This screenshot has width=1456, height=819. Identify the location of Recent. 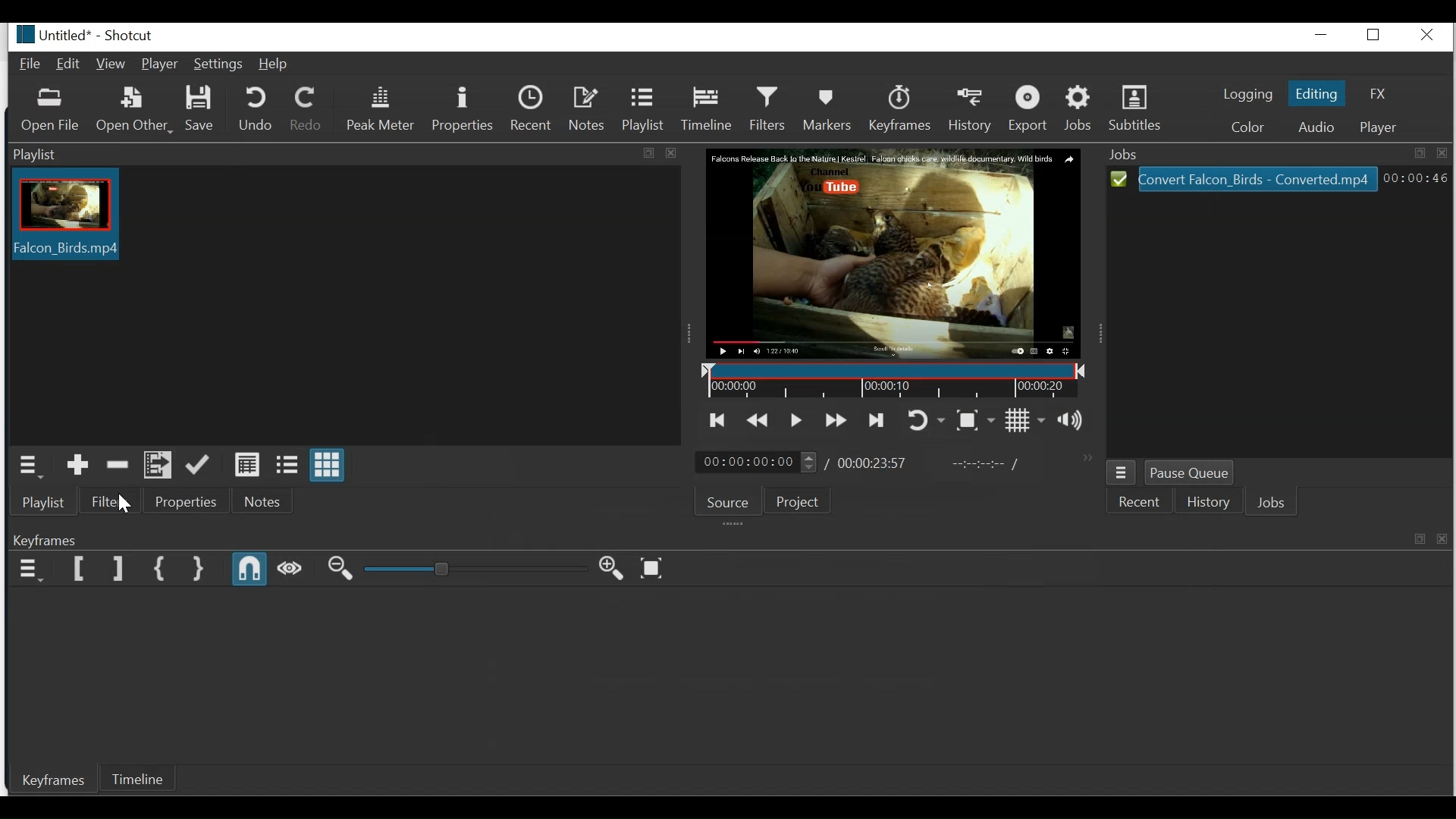
(533, 108).